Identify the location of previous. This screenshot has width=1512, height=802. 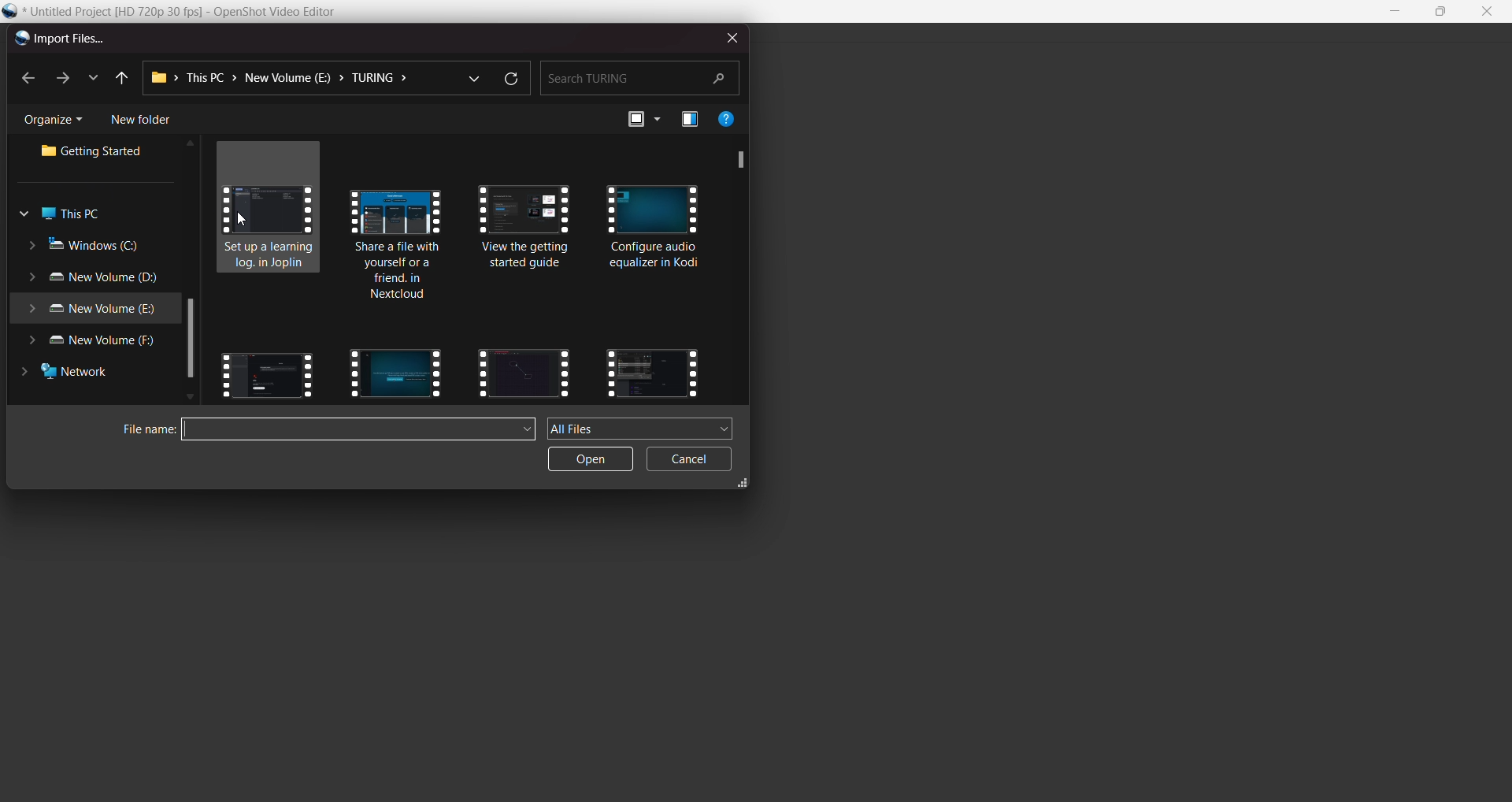
(120, 79).